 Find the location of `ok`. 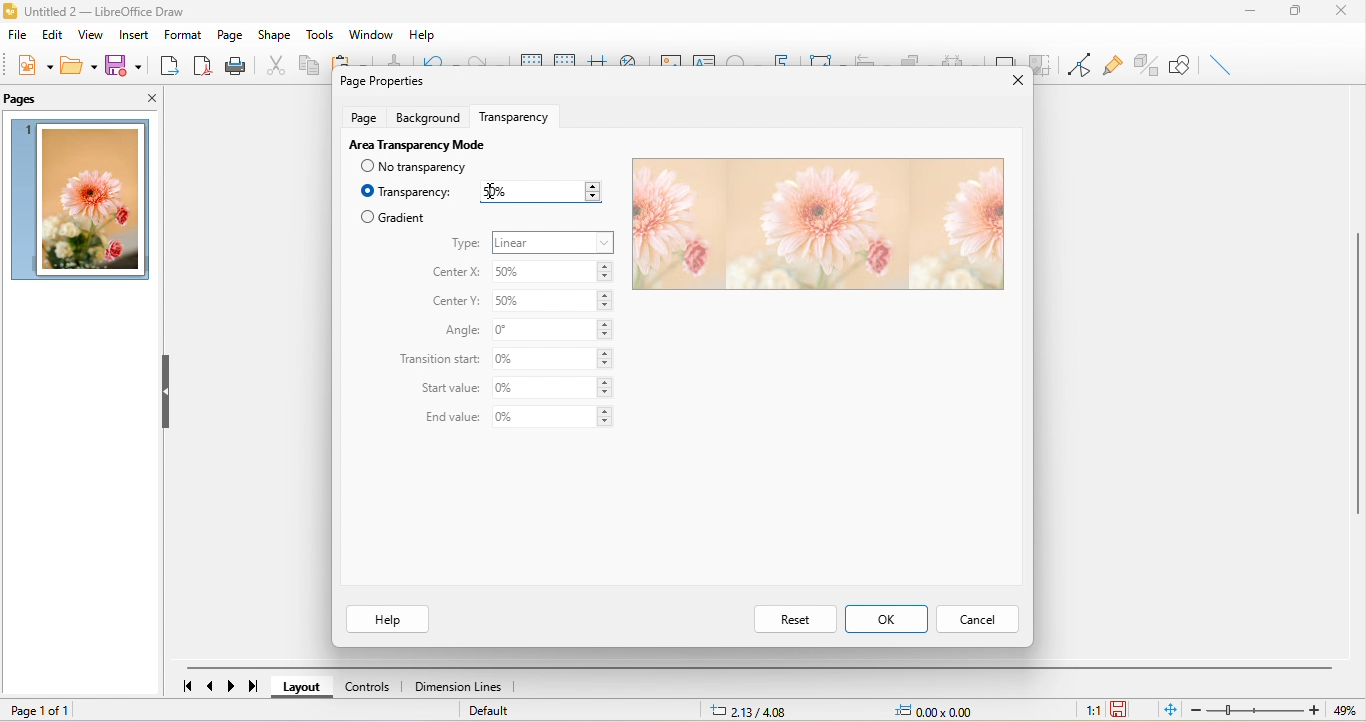

ok is located at coordinates (886, 618).